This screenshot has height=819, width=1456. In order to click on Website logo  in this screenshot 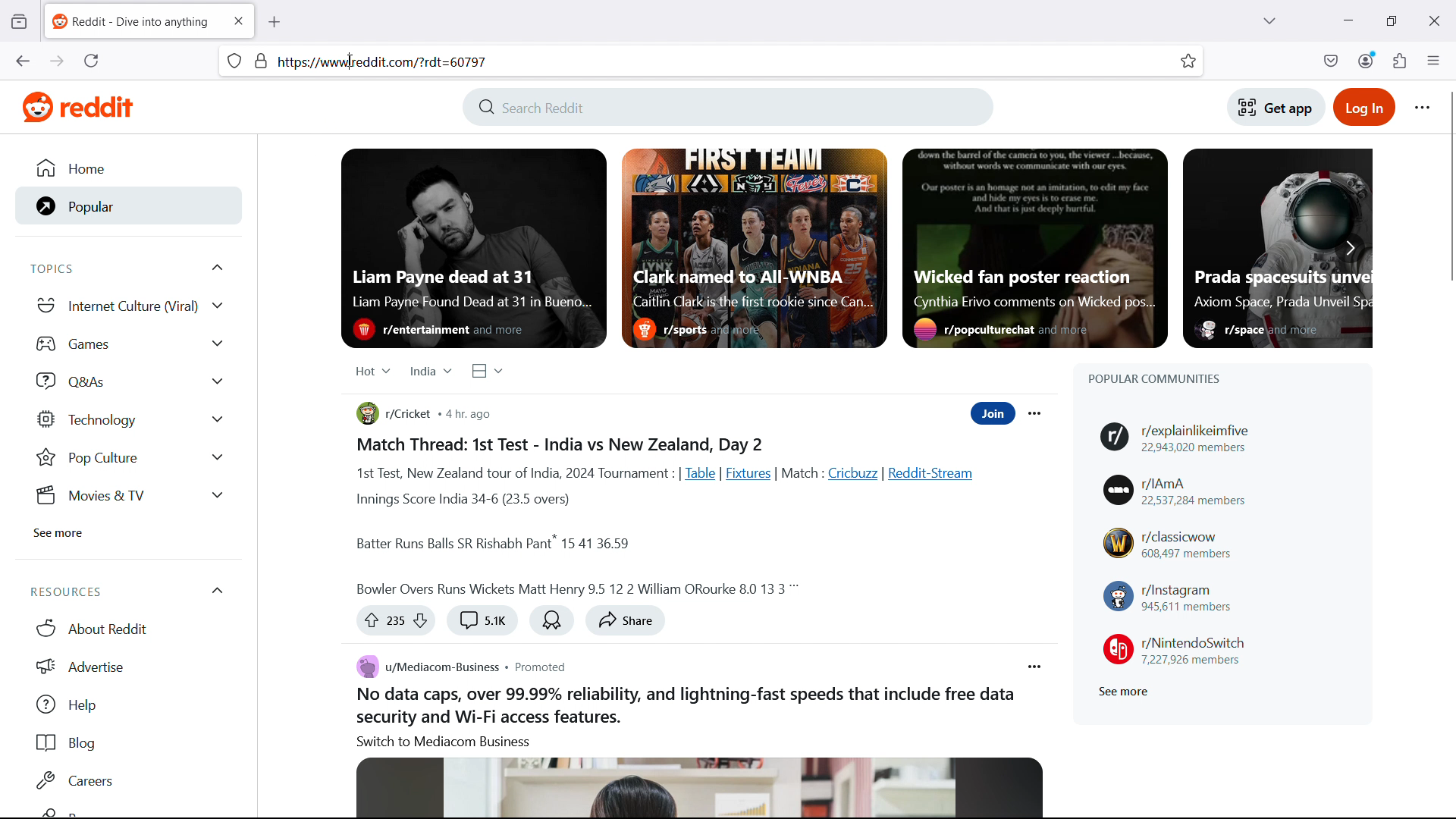, I will do `click(73, 108)`.